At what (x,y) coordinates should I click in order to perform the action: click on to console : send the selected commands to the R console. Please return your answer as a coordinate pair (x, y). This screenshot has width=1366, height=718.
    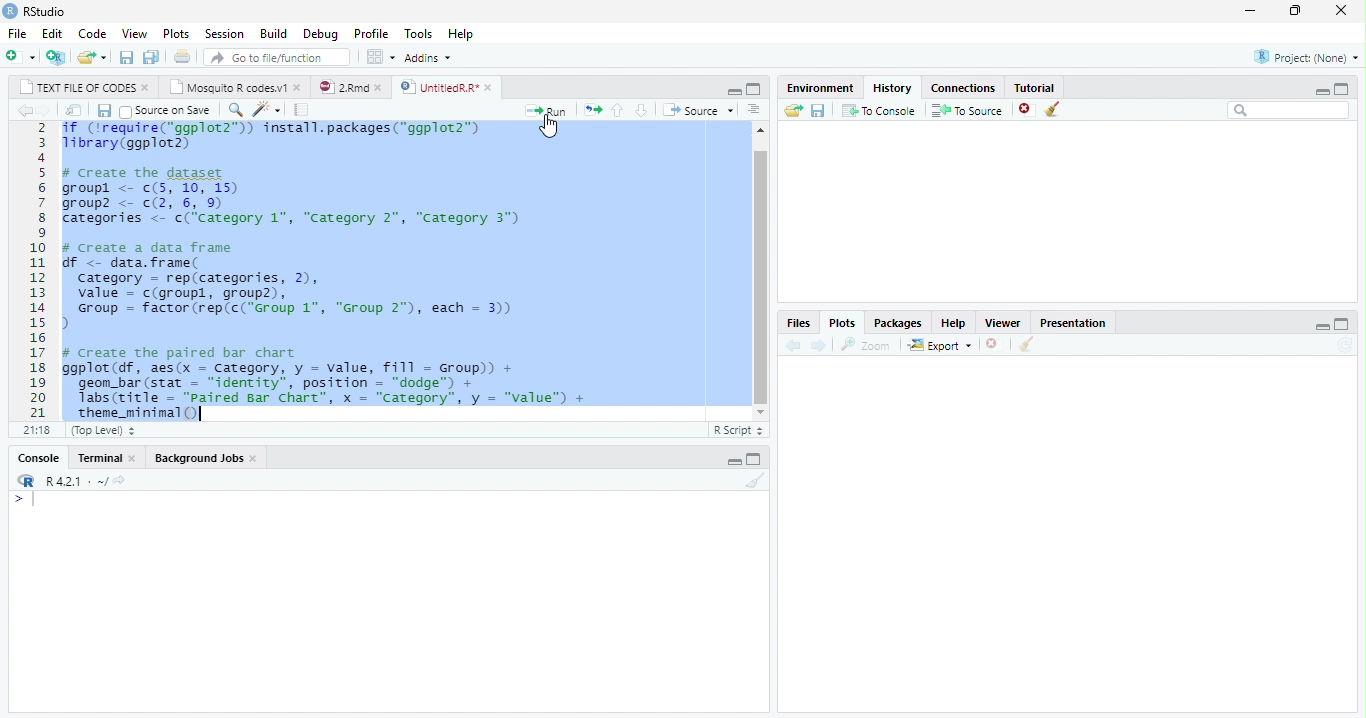
    Looking at the image, I should click on (877, 110).